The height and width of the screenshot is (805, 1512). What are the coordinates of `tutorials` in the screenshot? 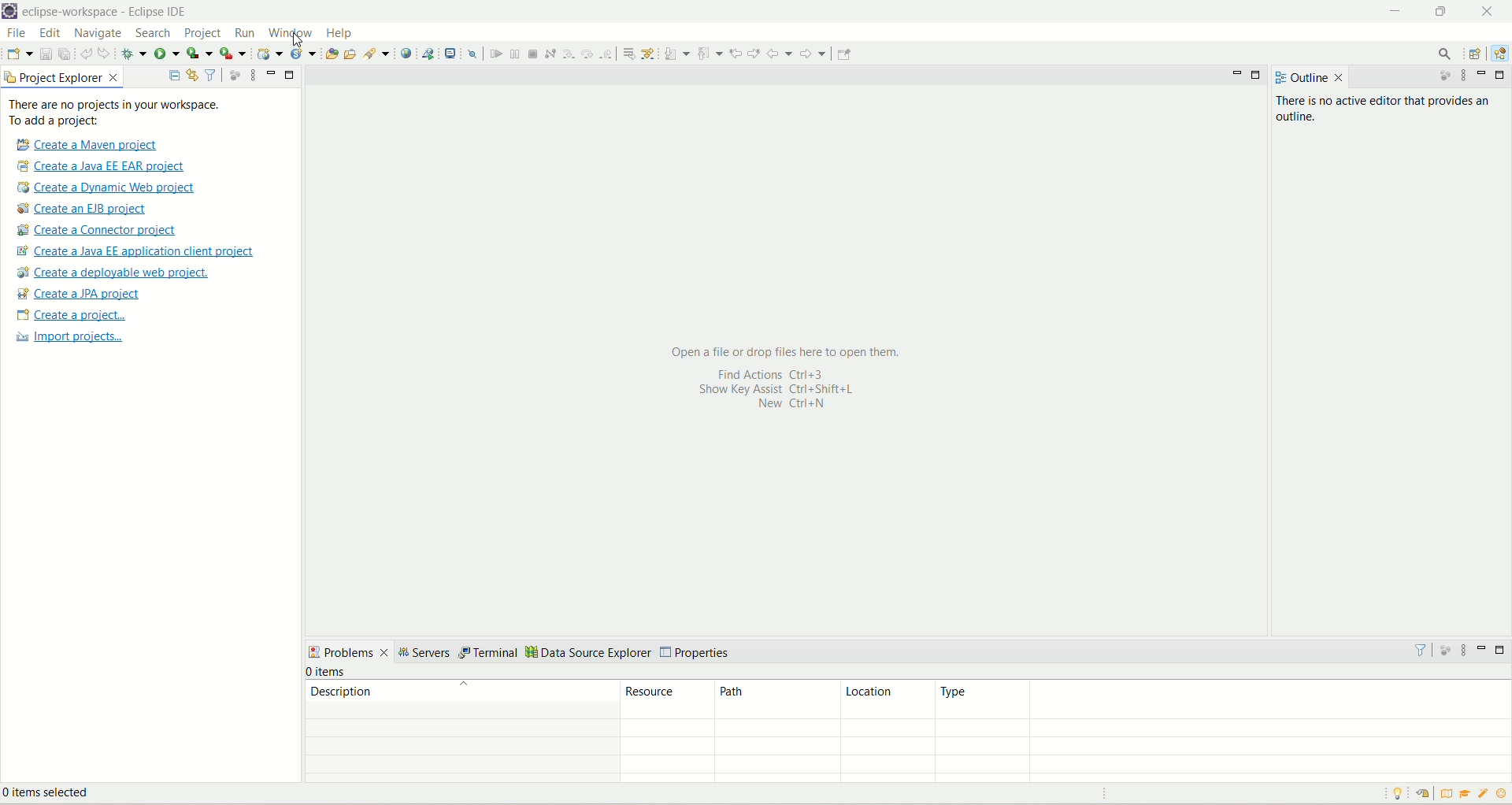 It's located at (1467, 794).